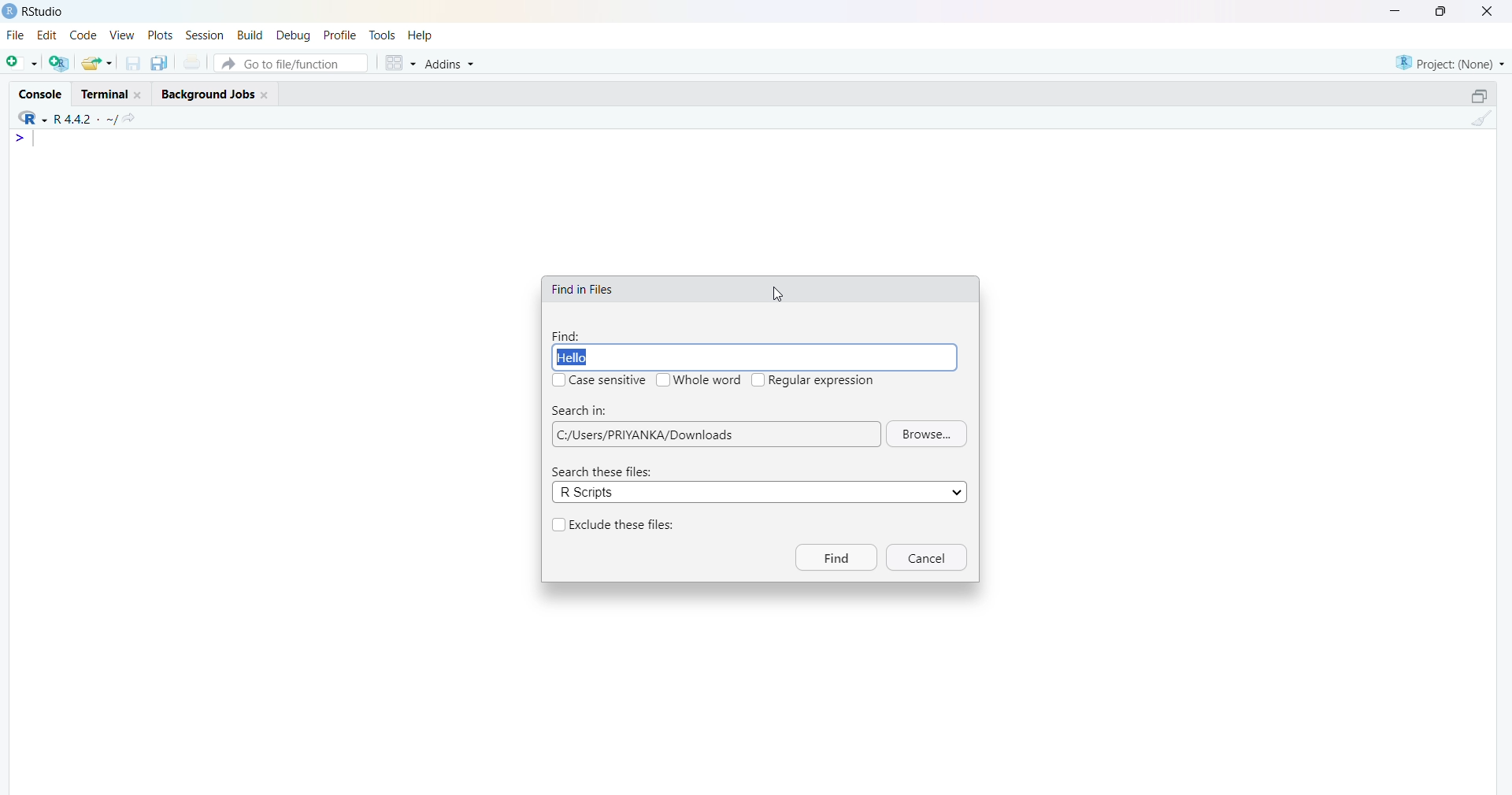  What do you see at coordinates (24, 62) in the screenshot?
I see `open file` at bounding box center [24, 62].